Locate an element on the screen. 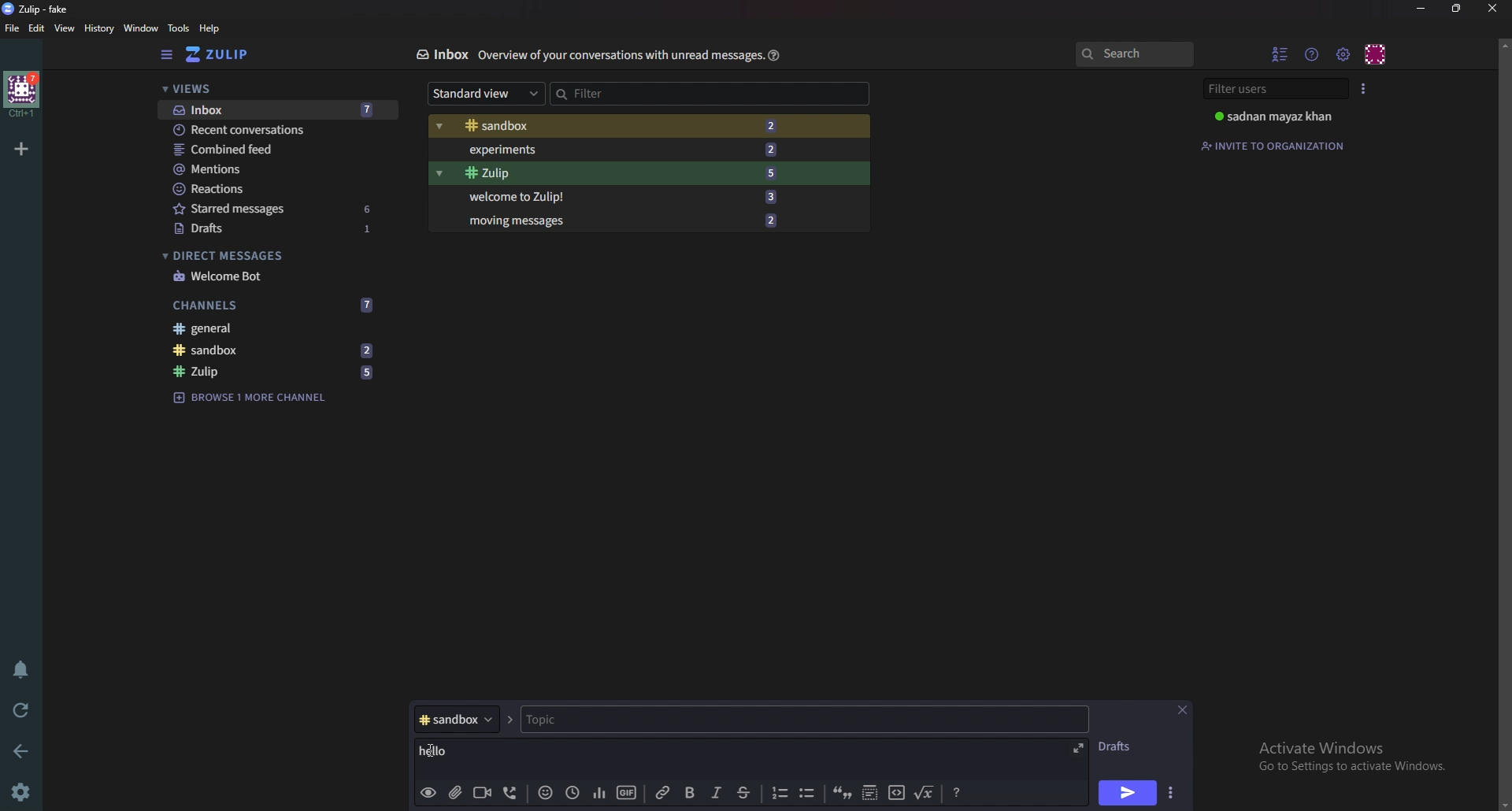 Image resolution: width=1512 pixels, height=811 pixels. send options is located at coordinates (1176, 791).